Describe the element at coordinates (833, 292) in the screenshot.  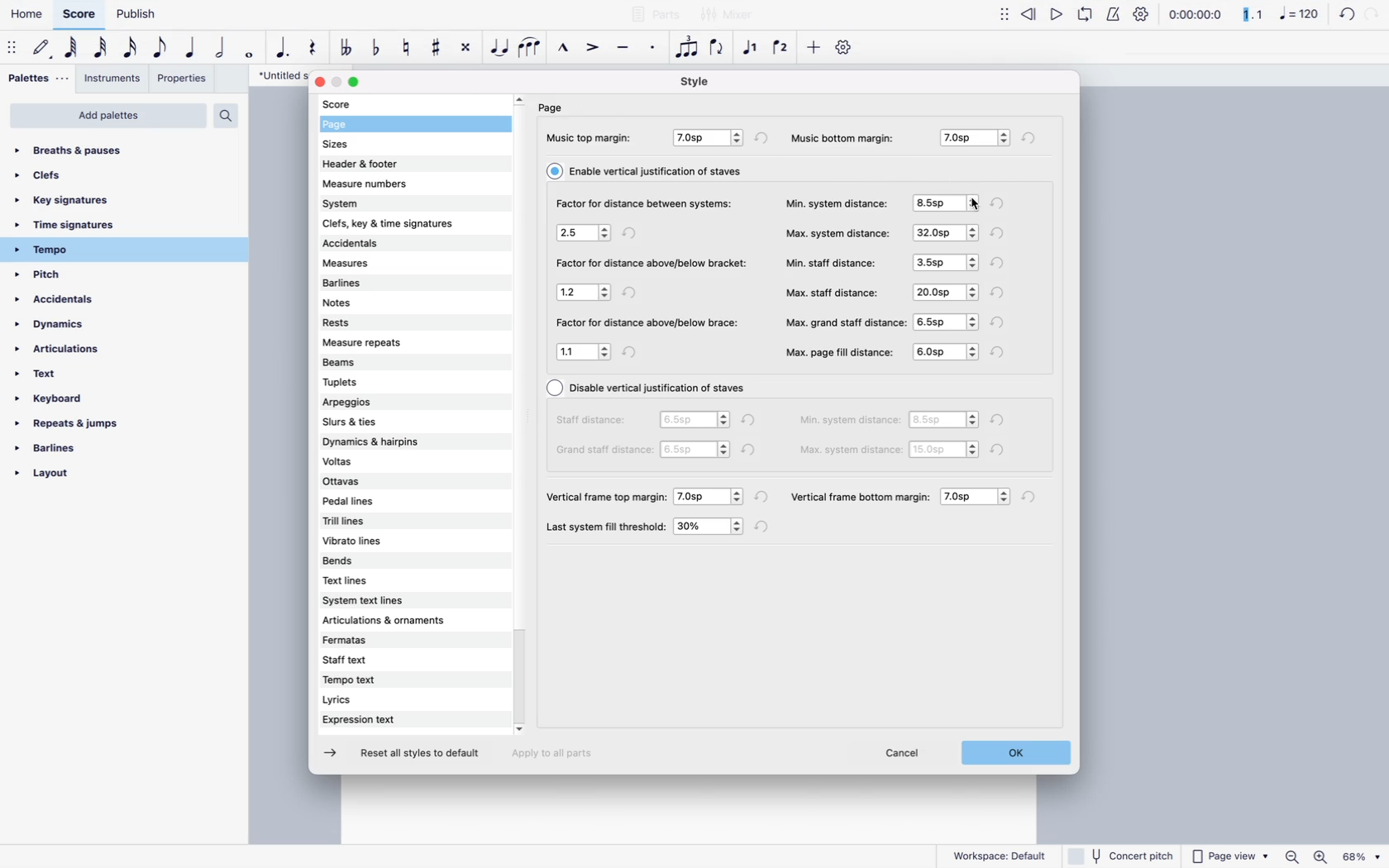
I see `max staff distance` at that location.